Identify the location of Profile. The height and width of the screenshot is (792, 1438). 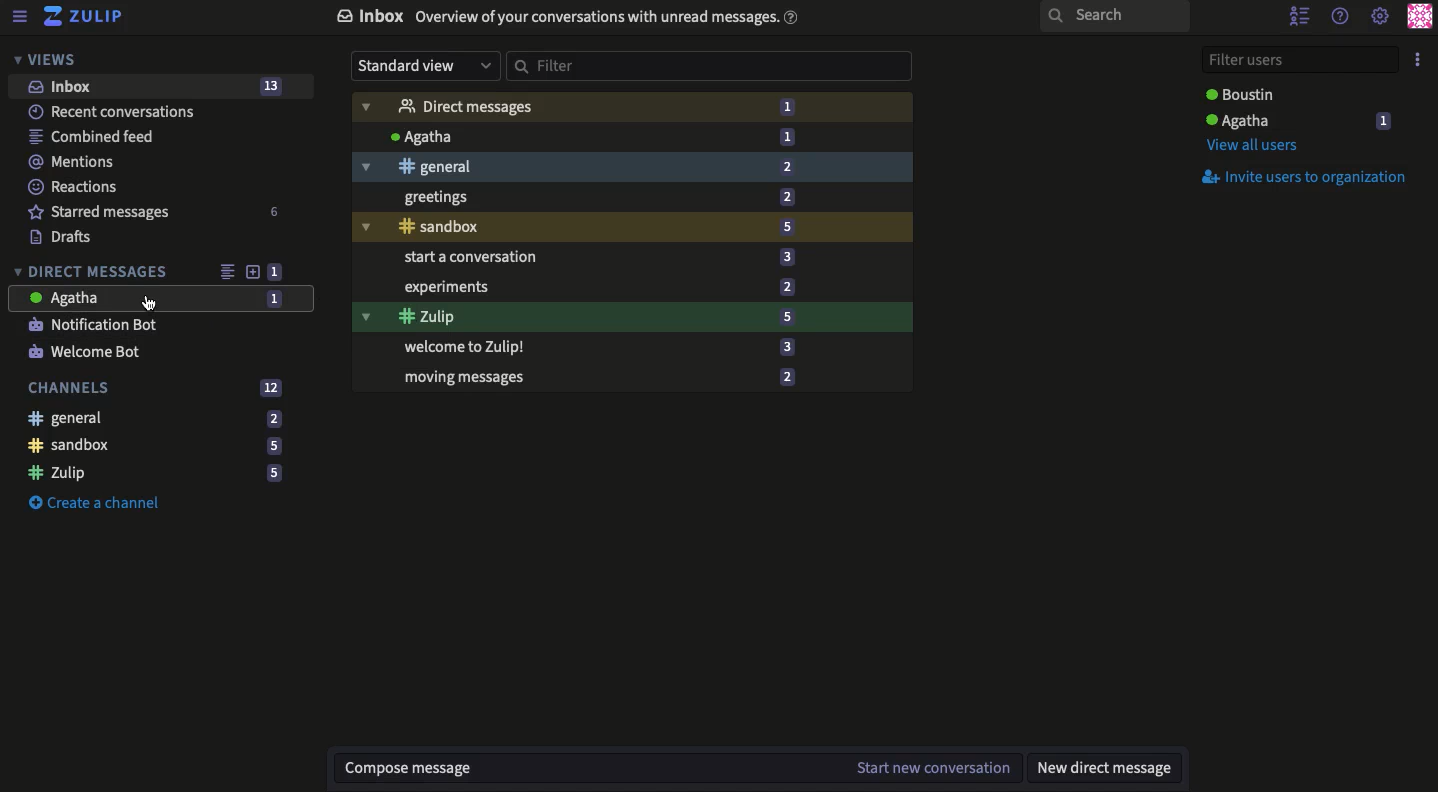
(1423, 15).